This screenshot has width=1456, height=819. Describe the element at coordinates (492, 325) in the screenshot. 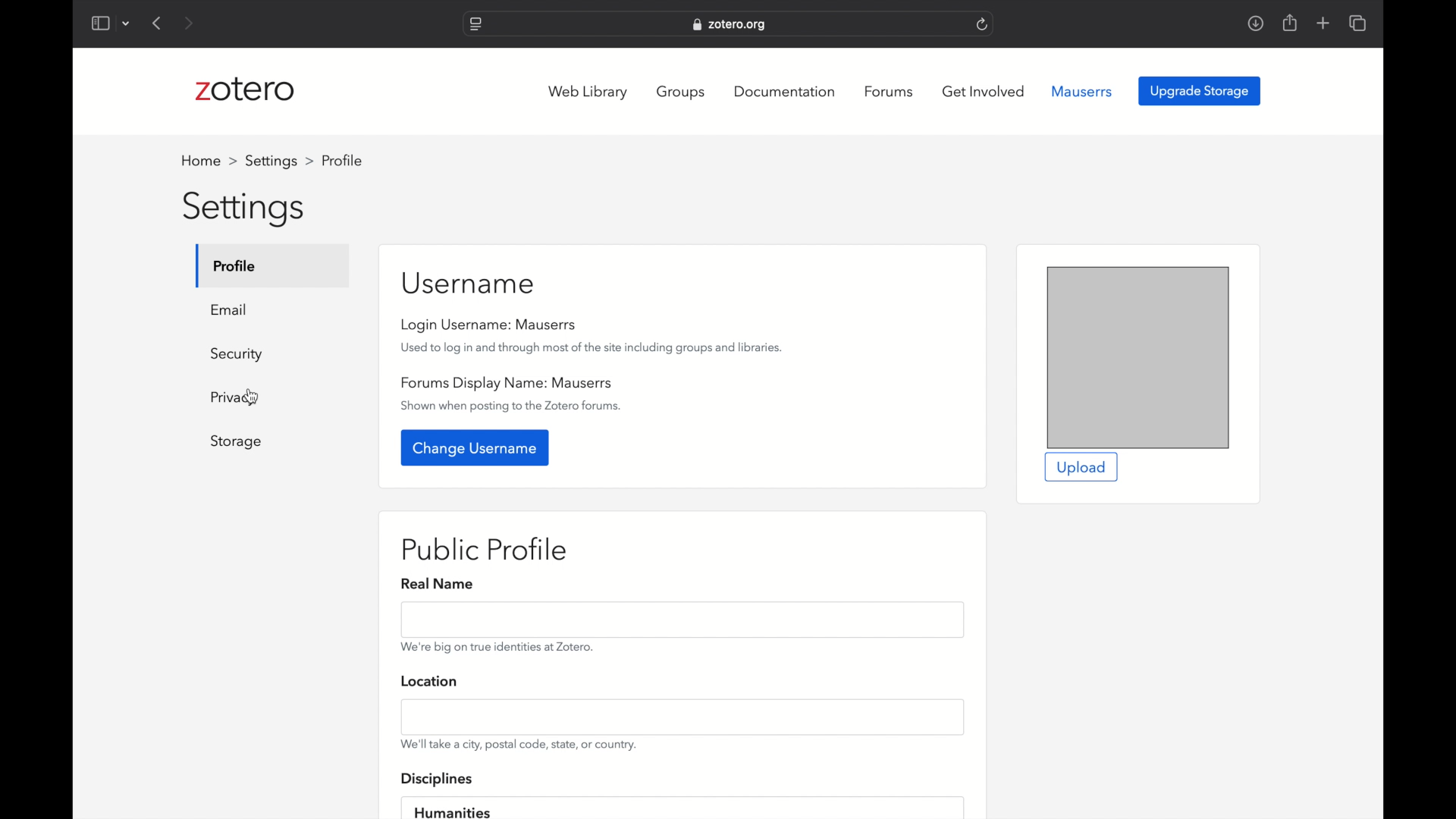

I see `loginusername: mauserrs` at that location.